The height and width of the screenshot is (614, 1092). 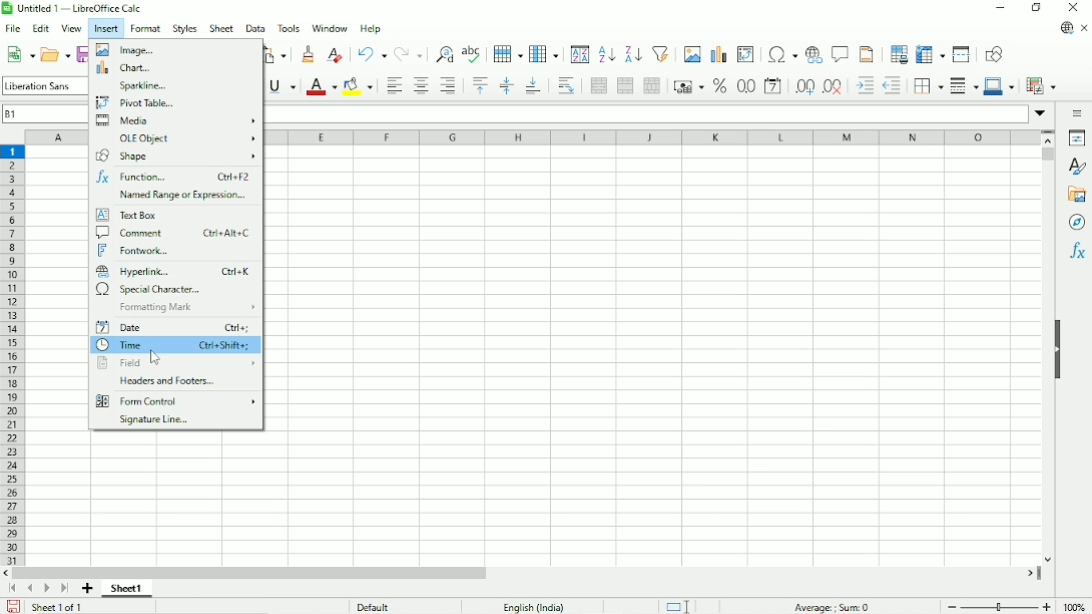 What do you see at coordinates (625, 85) in the screenshot?
I see `Merge cells` at bounding box center [625, 85].